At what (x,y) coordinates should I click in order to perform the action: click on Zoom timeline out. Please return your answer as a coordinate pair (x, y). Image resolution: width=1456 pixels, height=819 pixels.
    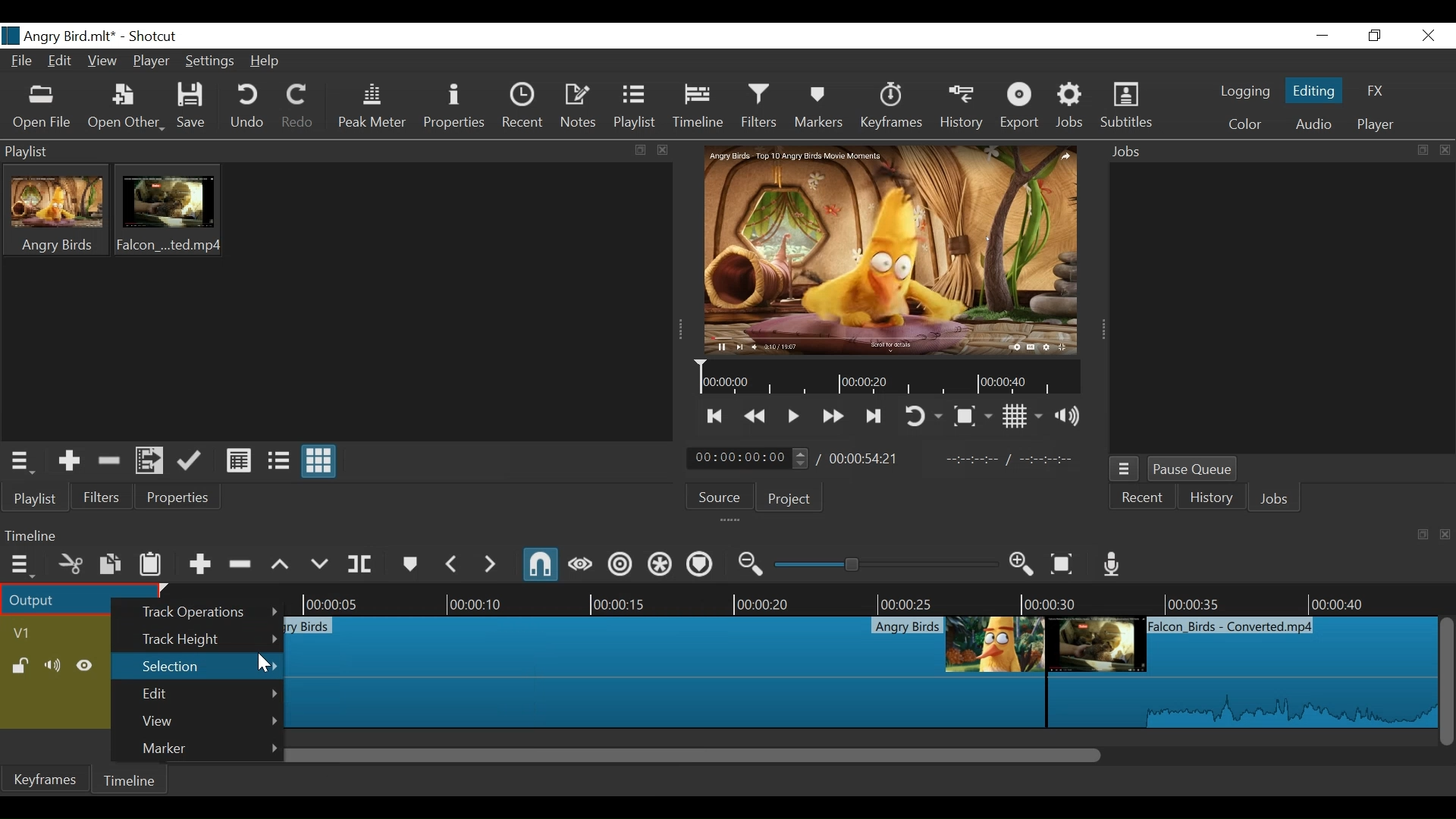
    Looking at the image, I should click on (750, 564).